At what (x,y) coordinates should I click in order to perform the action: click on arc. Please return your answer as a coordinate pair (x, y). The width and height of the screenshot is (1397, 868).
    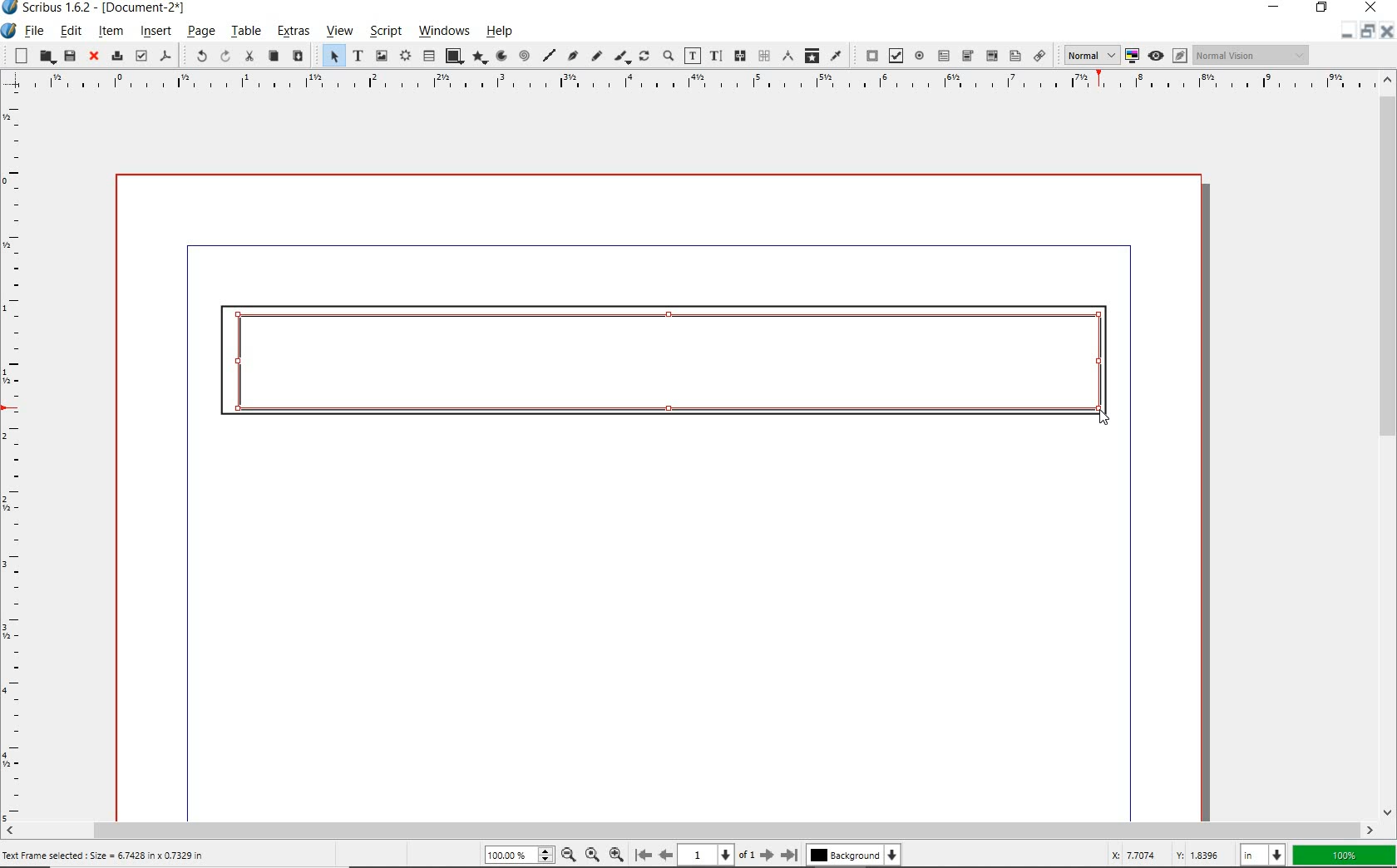
    Looking at the image, I should click on (501, 56).